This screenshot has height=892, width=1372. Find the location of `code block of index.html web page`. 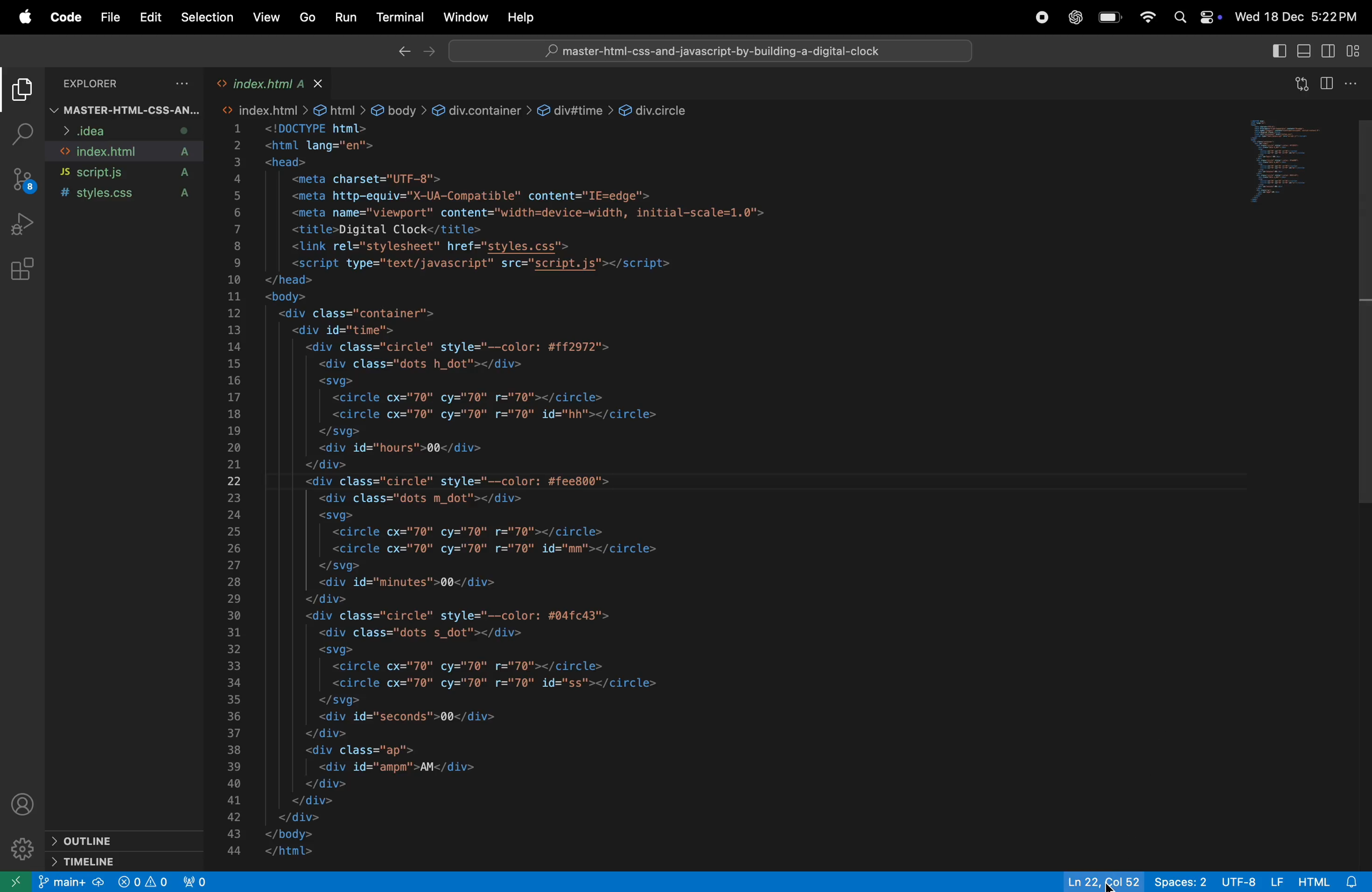

code block of index.html web page is located at coordinates (602, 489).